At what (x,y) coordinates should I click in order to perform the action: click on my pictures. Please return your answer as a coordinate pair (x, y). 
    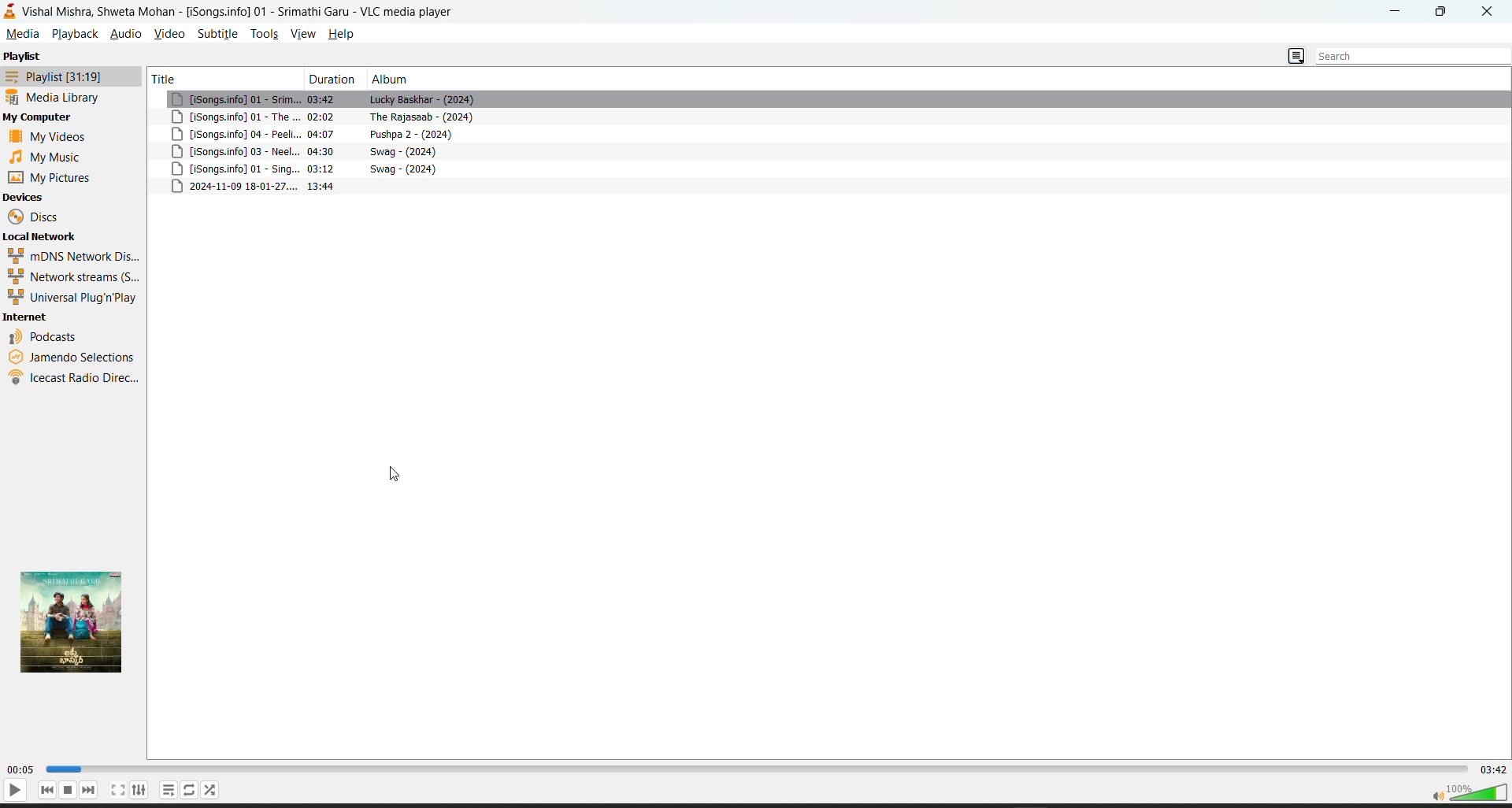
    Looking at the image, I should click on (51, 176).